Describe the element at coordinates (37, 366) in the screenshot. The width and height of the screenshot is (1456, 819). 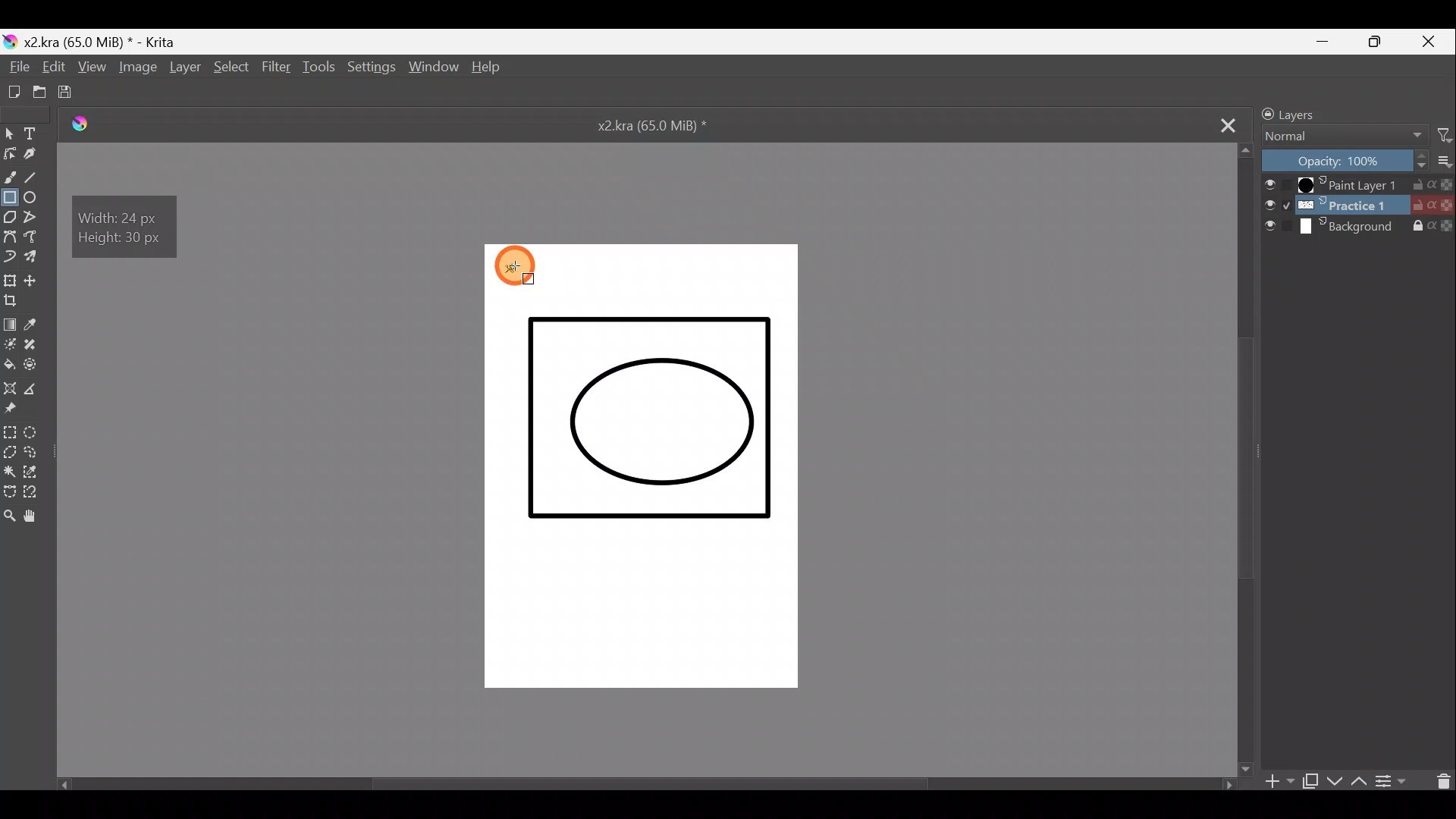
I see `Enclose & fill tool` at that location.